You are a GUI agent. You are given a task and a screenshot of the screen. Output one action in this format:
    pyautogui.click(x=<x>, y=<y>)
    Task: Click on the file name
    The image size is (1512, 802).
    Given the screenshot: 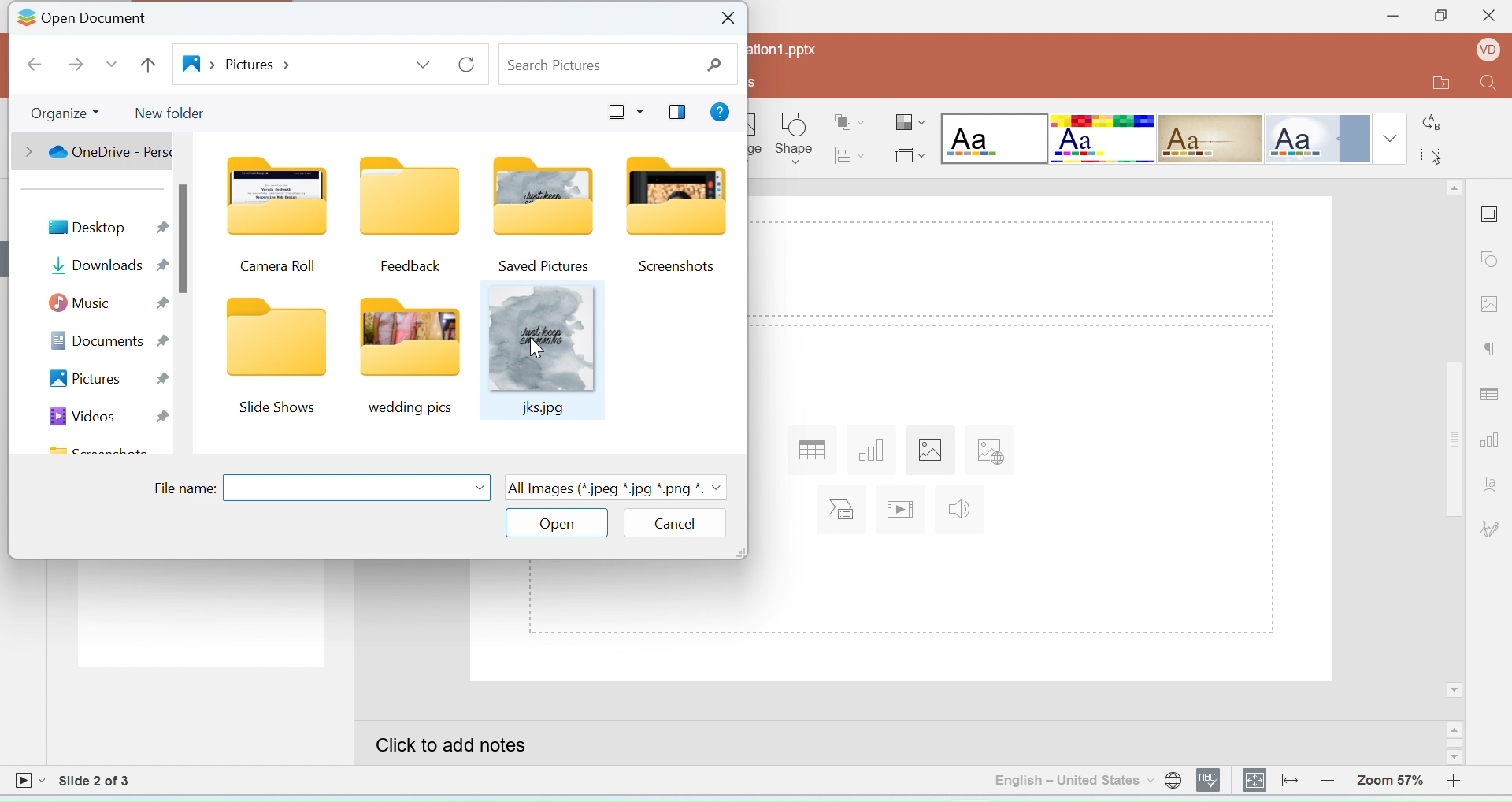 What is the action you would take?
    pyautogui.click(x=183, y=488)
    